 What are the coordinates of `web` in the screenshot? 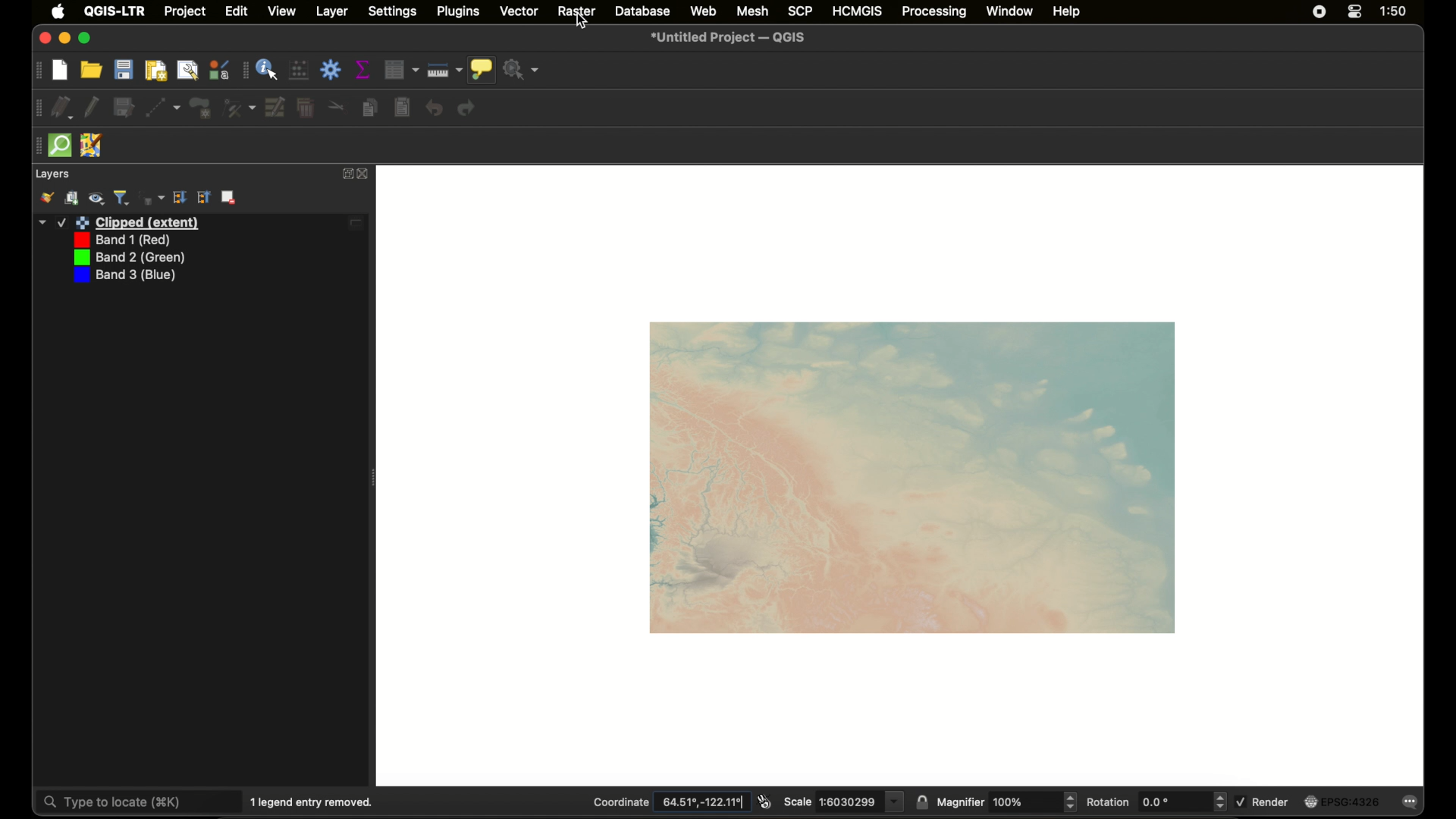 It's located at (704, 11).